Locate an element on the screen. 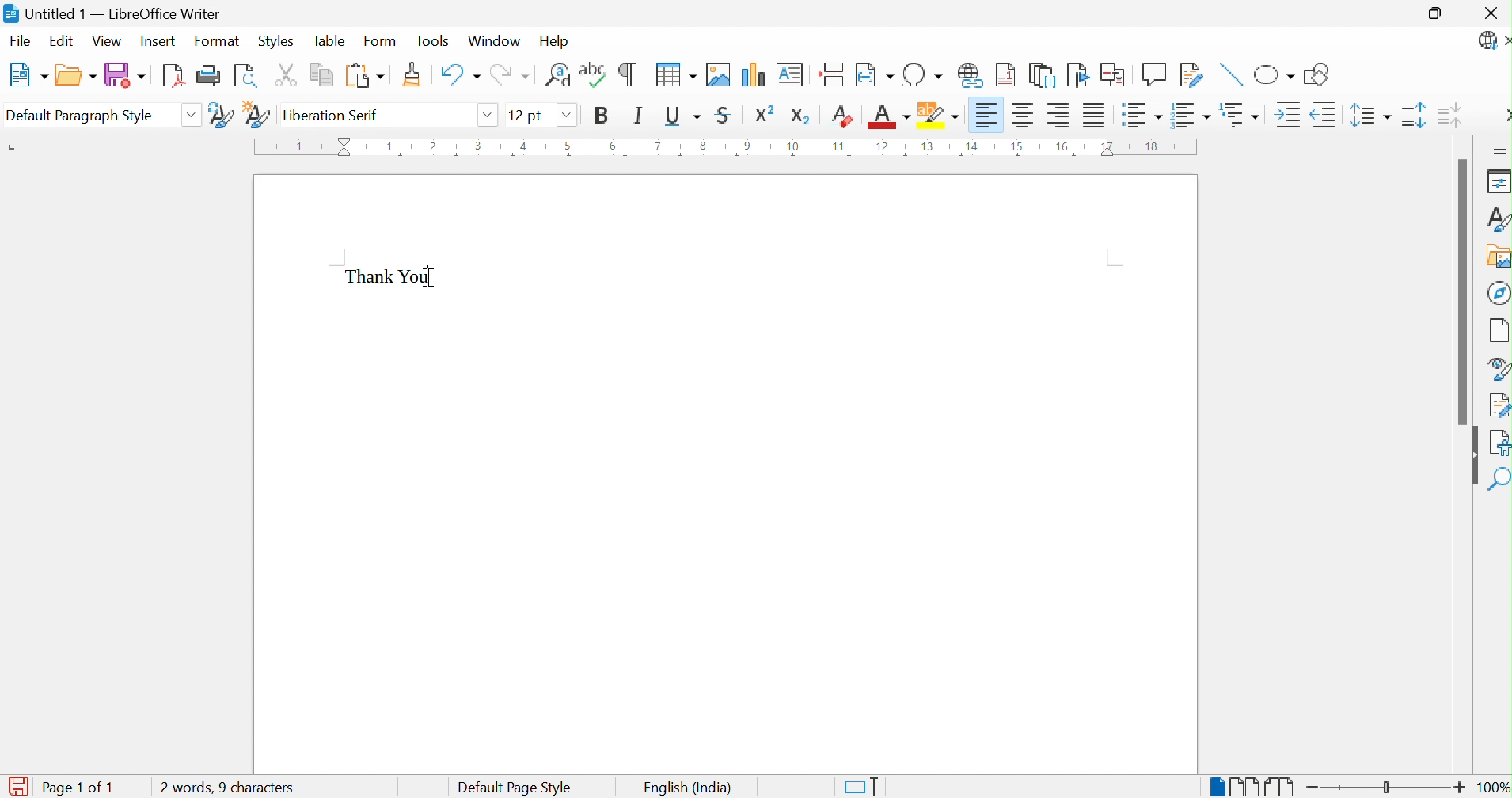  Form is located at coordinates (382, 41).